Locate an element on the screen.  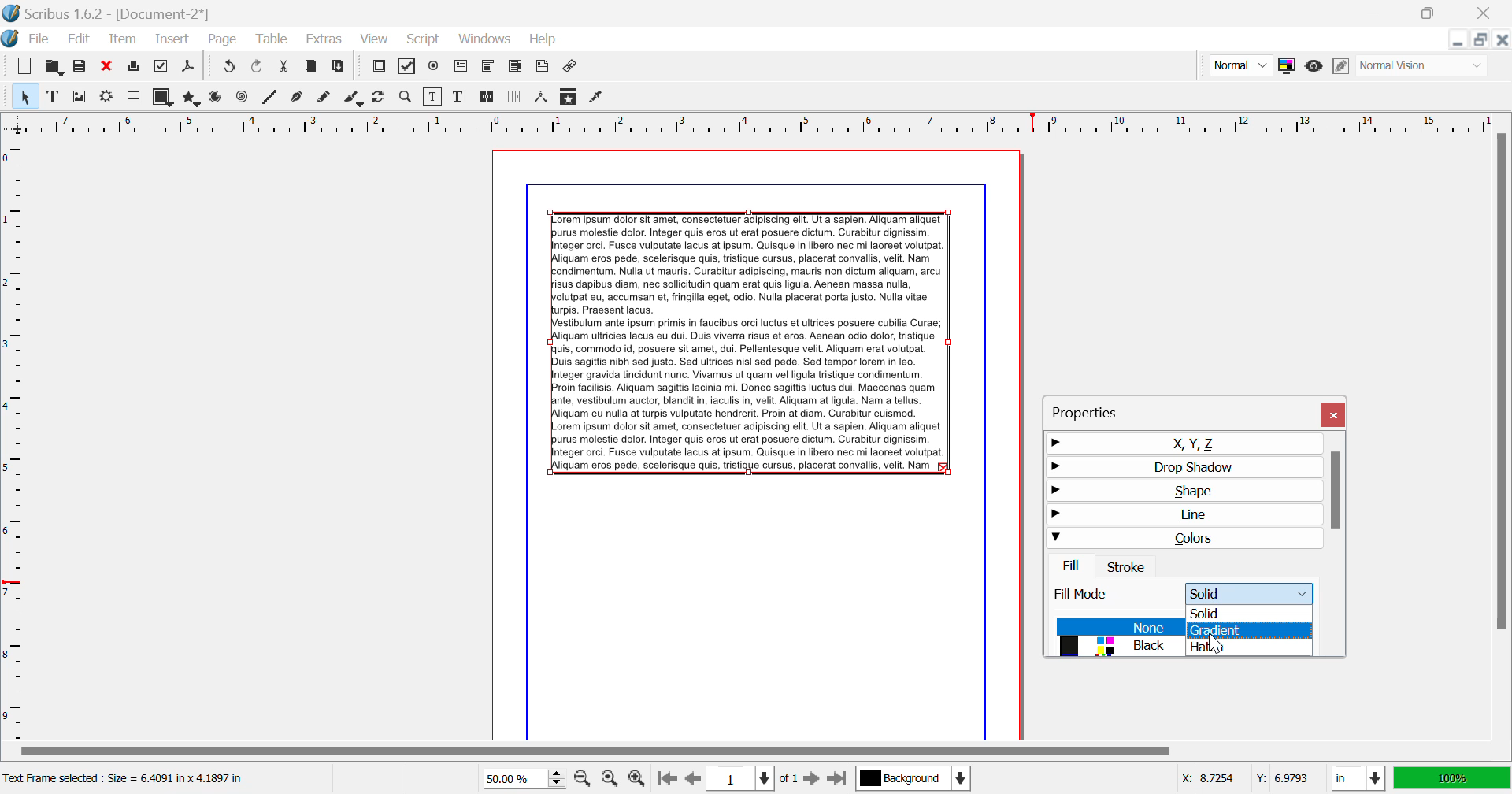
Preview Mode is located at coordinates (1314, 68).